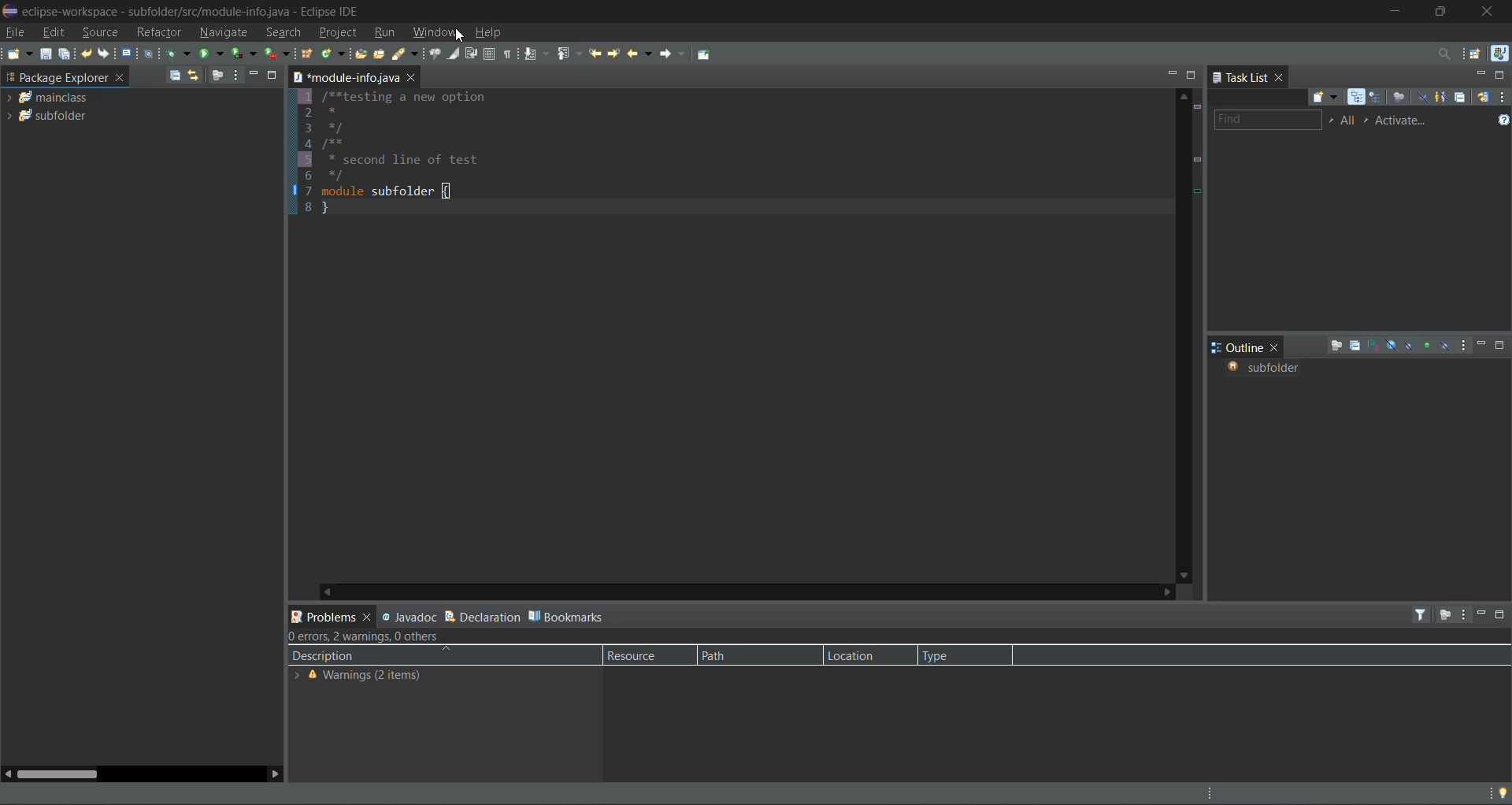 The image size is (1512, 805). What do you see at coordinates (1168, 74) in the screenshot?
I see `minimize` at bounding box center [1168, 74].